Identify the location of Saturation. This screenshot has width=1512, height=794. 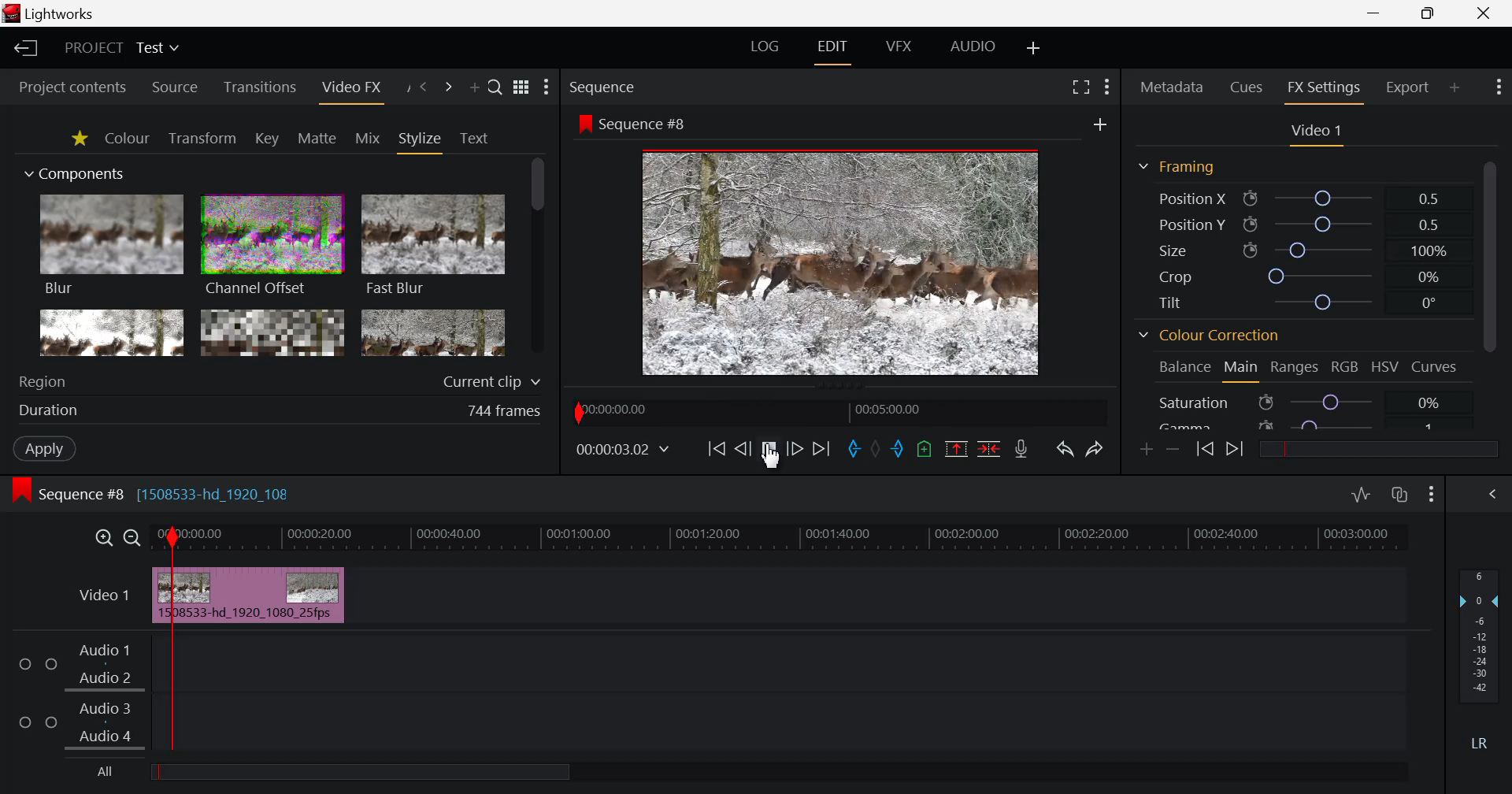
(1310, 400).